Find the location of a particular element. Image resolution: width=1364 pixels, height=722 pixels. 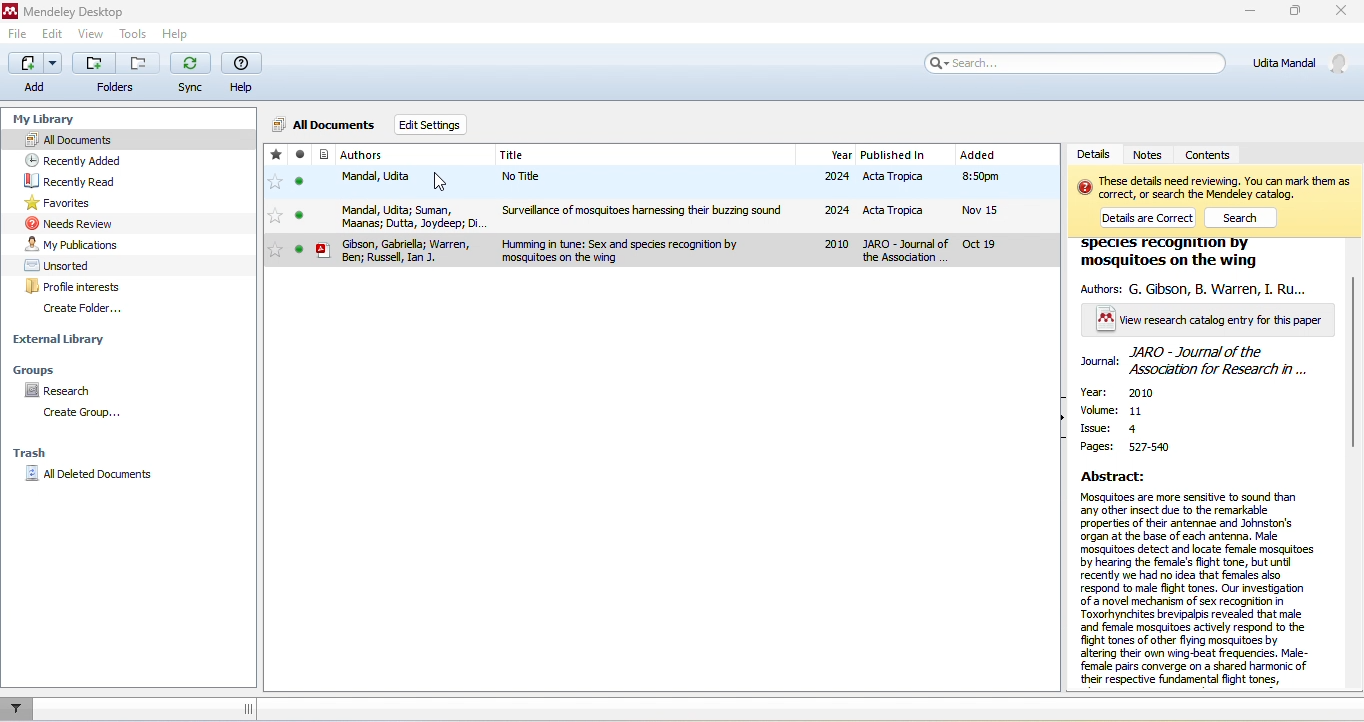

abstract text is located at coordinates (1199, 590).